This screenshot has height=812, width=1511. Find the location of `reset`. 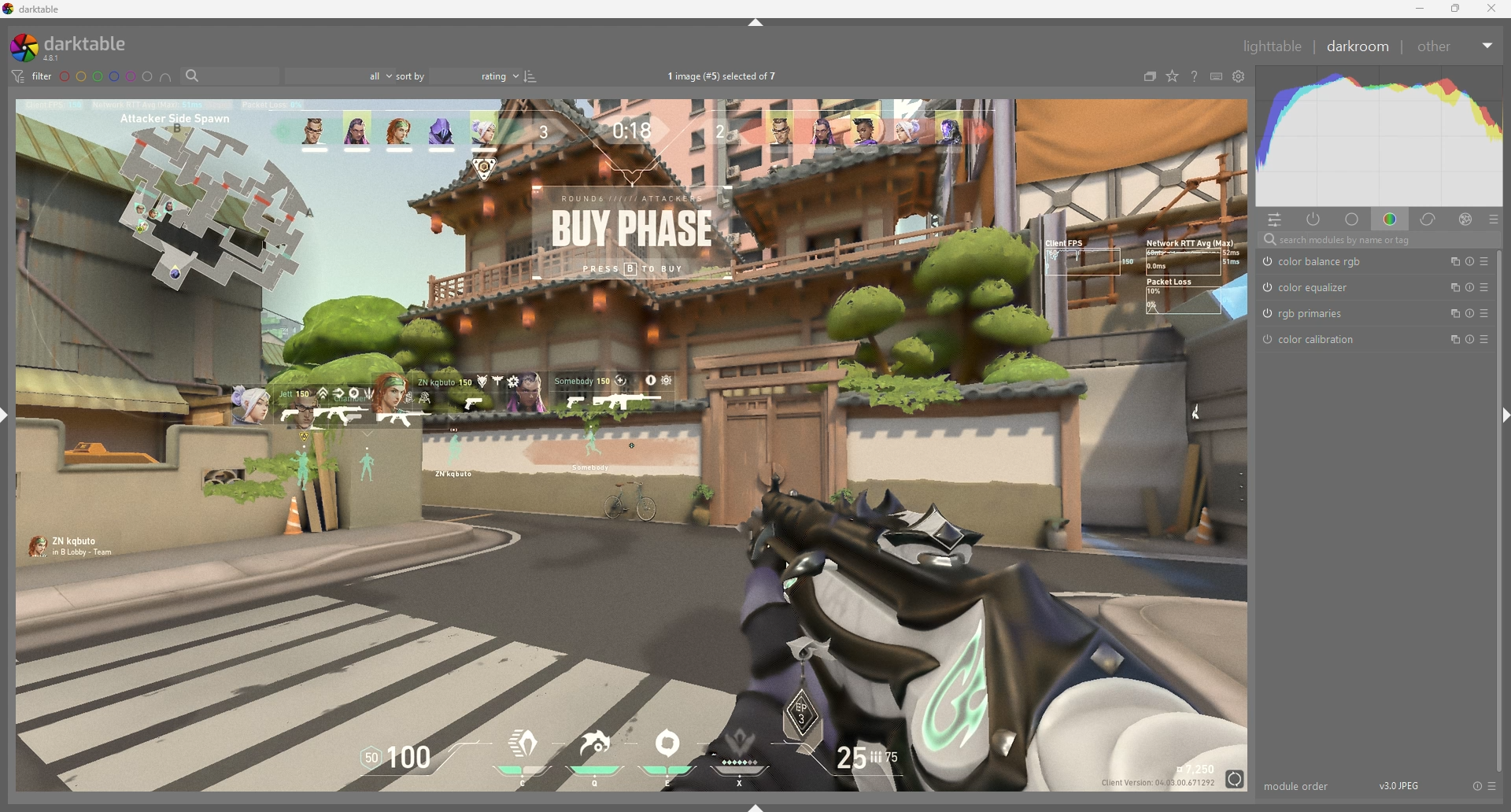

reset is located at coordinates (1469, 314).